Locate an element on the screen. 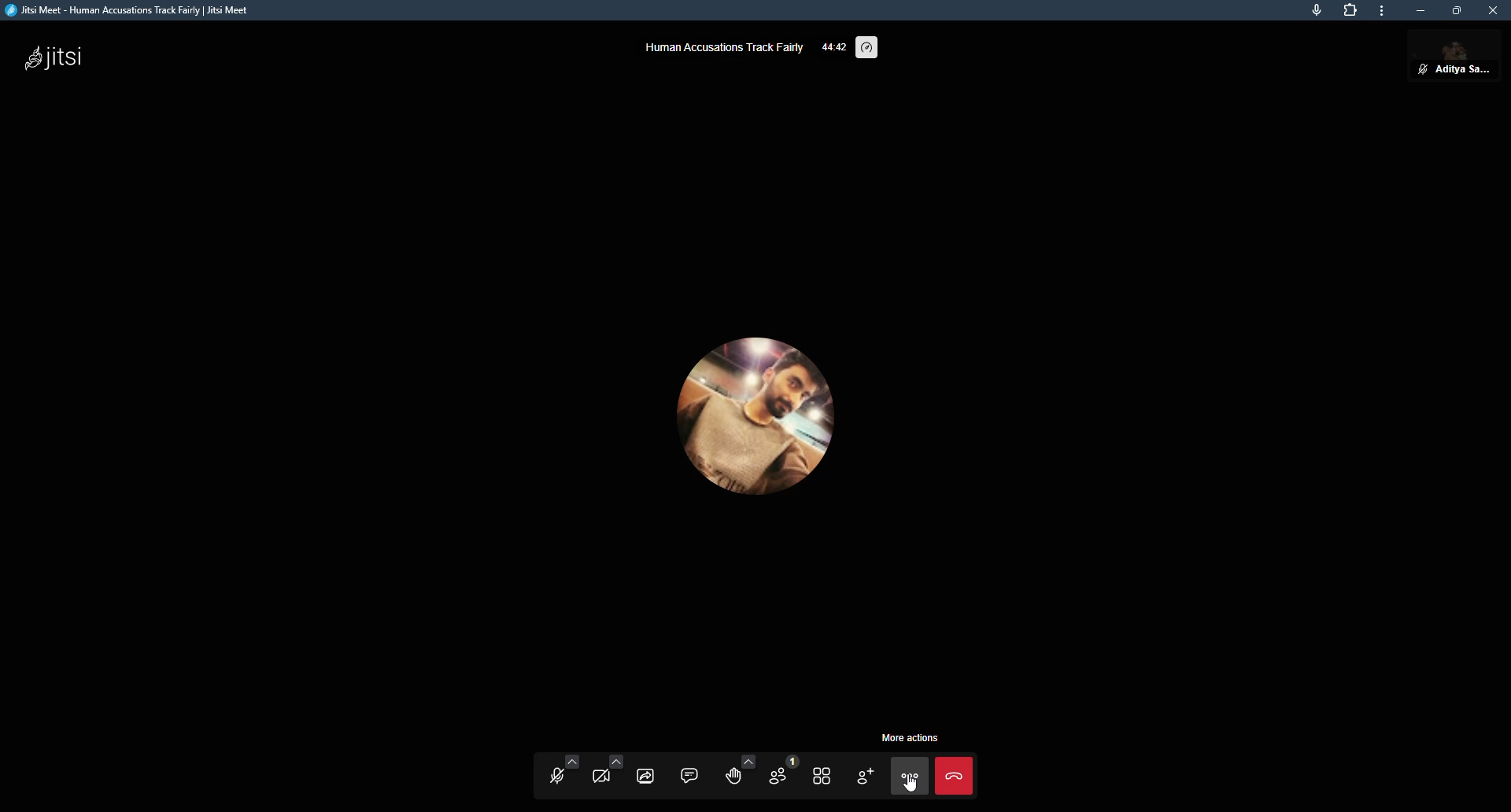 This screenshot has height=812, width=1511. unmute is located at coordinates (1418, 68).